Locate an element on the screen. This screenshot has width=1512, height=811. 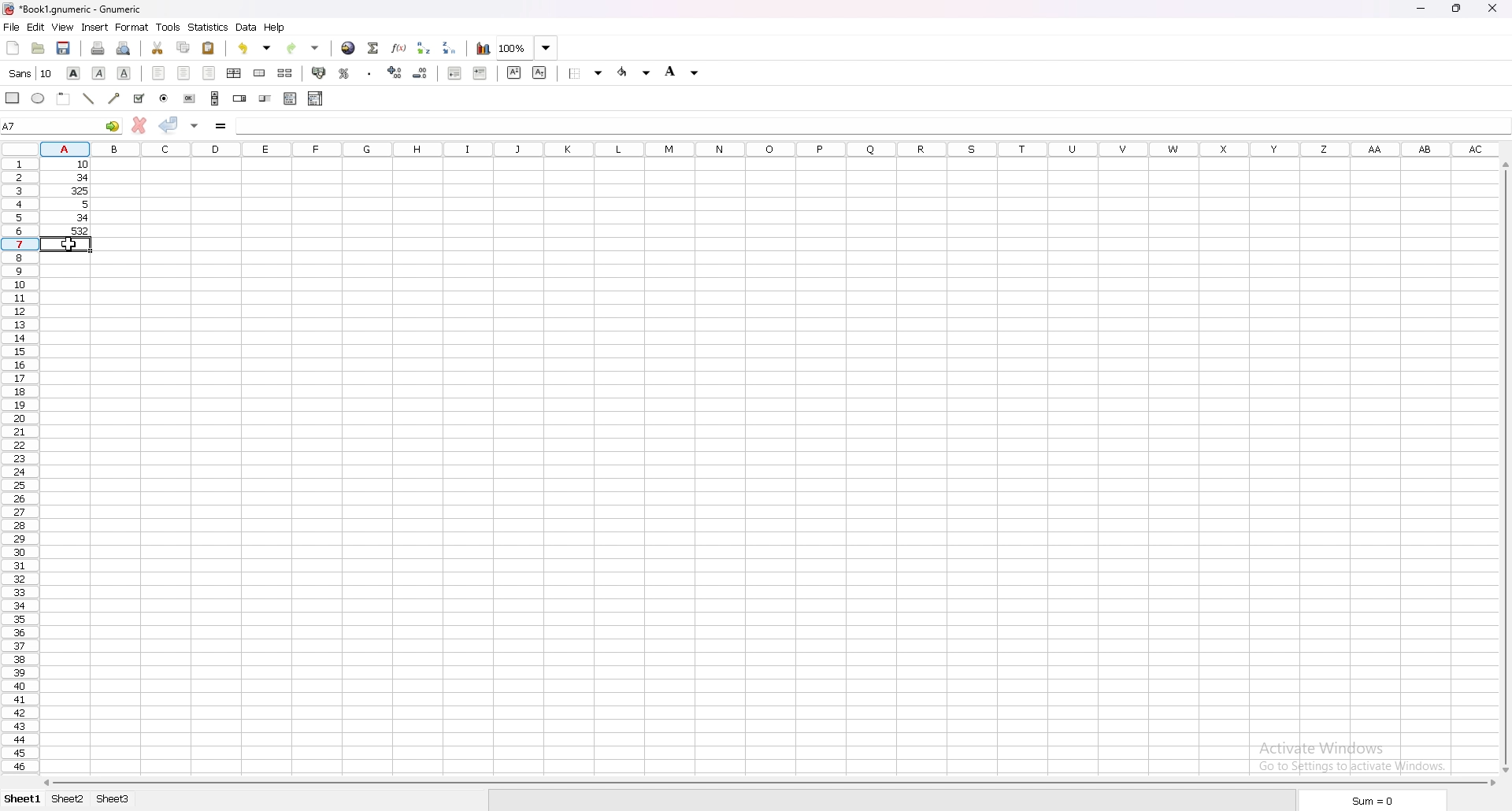
Book1.gnumeric - Gnumeric is located at coordinates (86, 10).